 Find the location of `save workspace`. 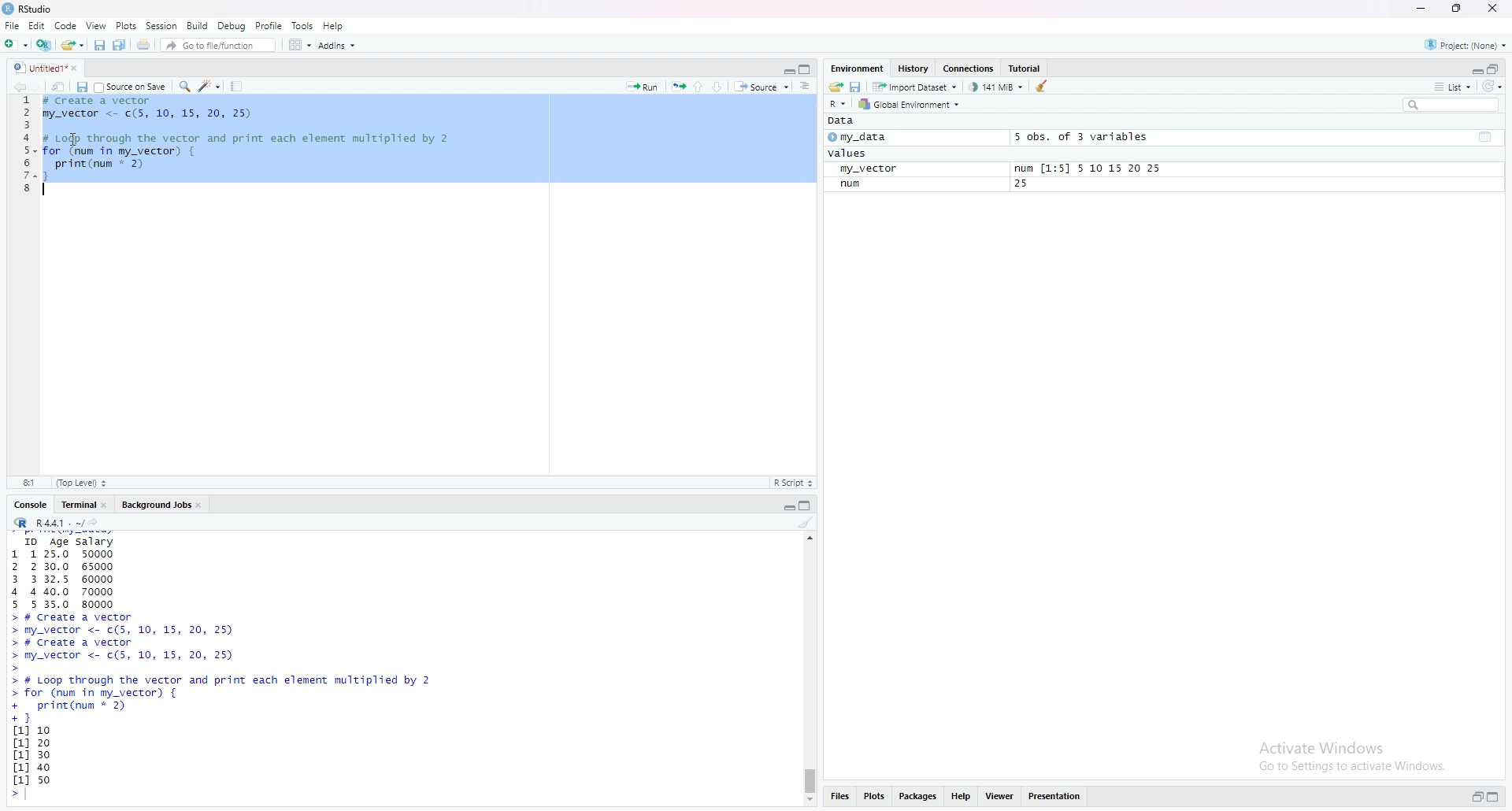

save workspace is located at coordinates (857, 87).